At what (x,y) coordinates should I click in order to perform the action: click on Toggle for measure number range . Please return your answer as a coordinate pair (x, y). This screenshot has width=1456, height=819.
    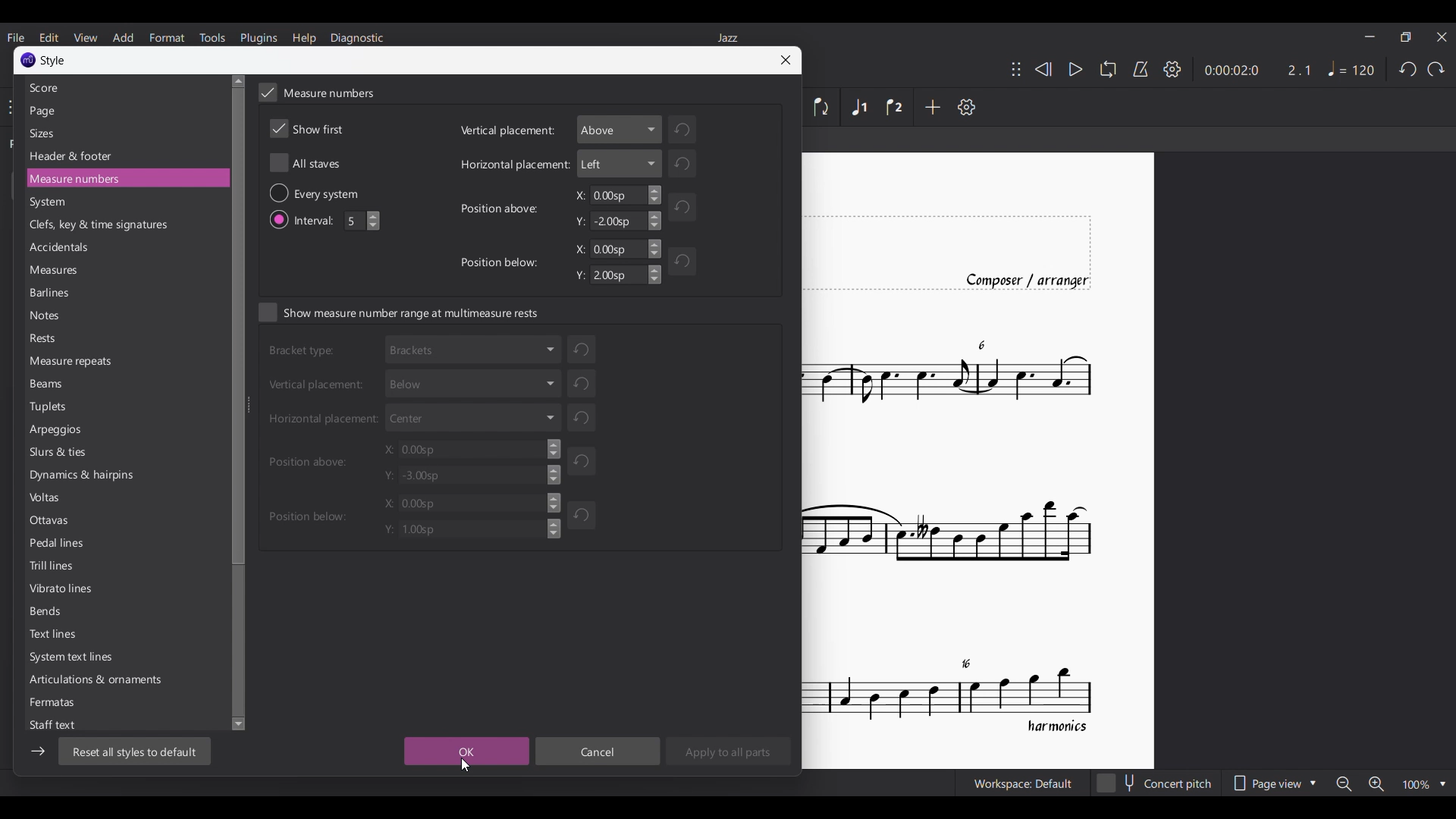
    Looking at the image, I should click on (399, 312).